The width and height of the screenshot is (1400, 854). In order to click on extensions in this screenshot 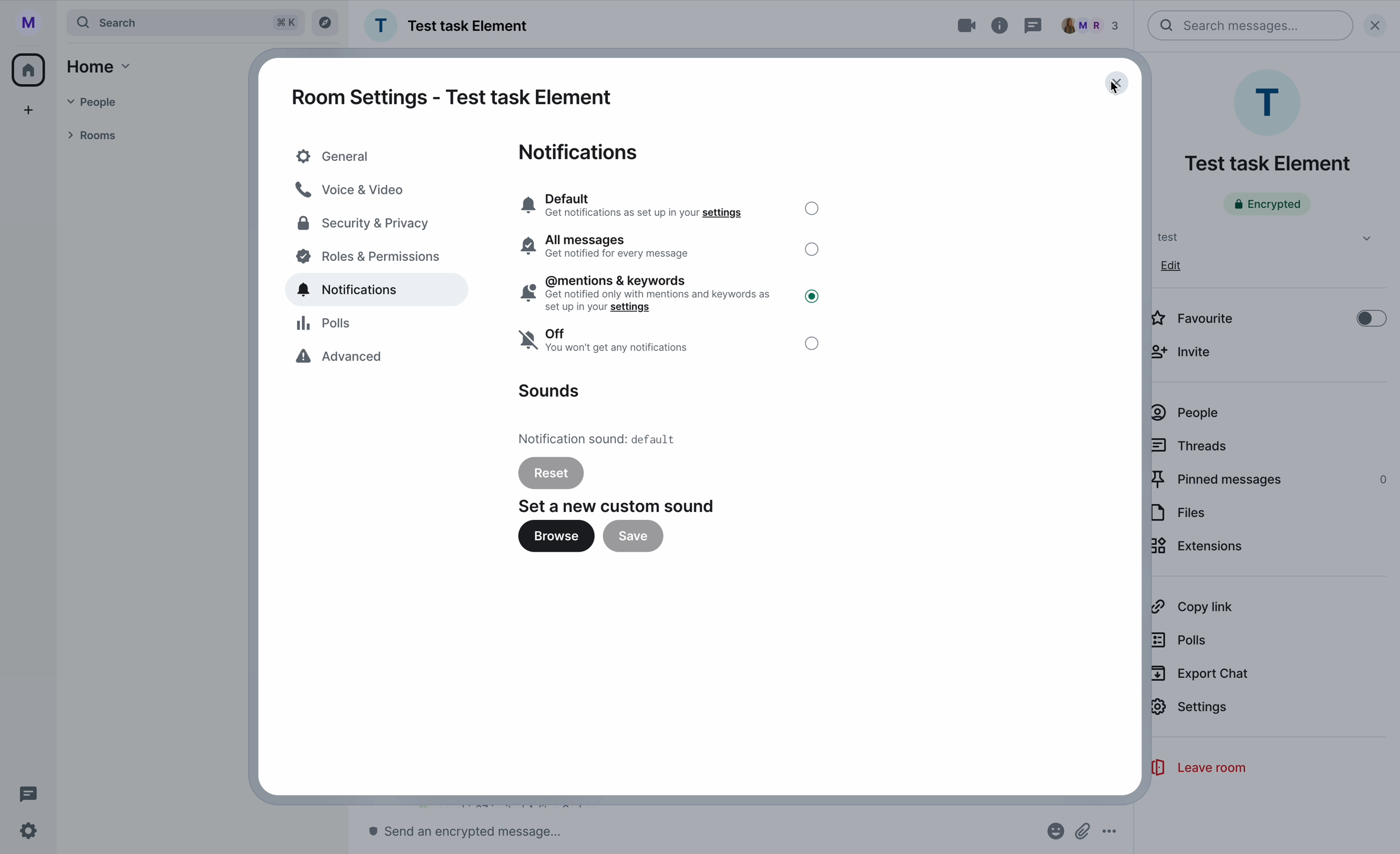, I will do `click(1199, 548)`.